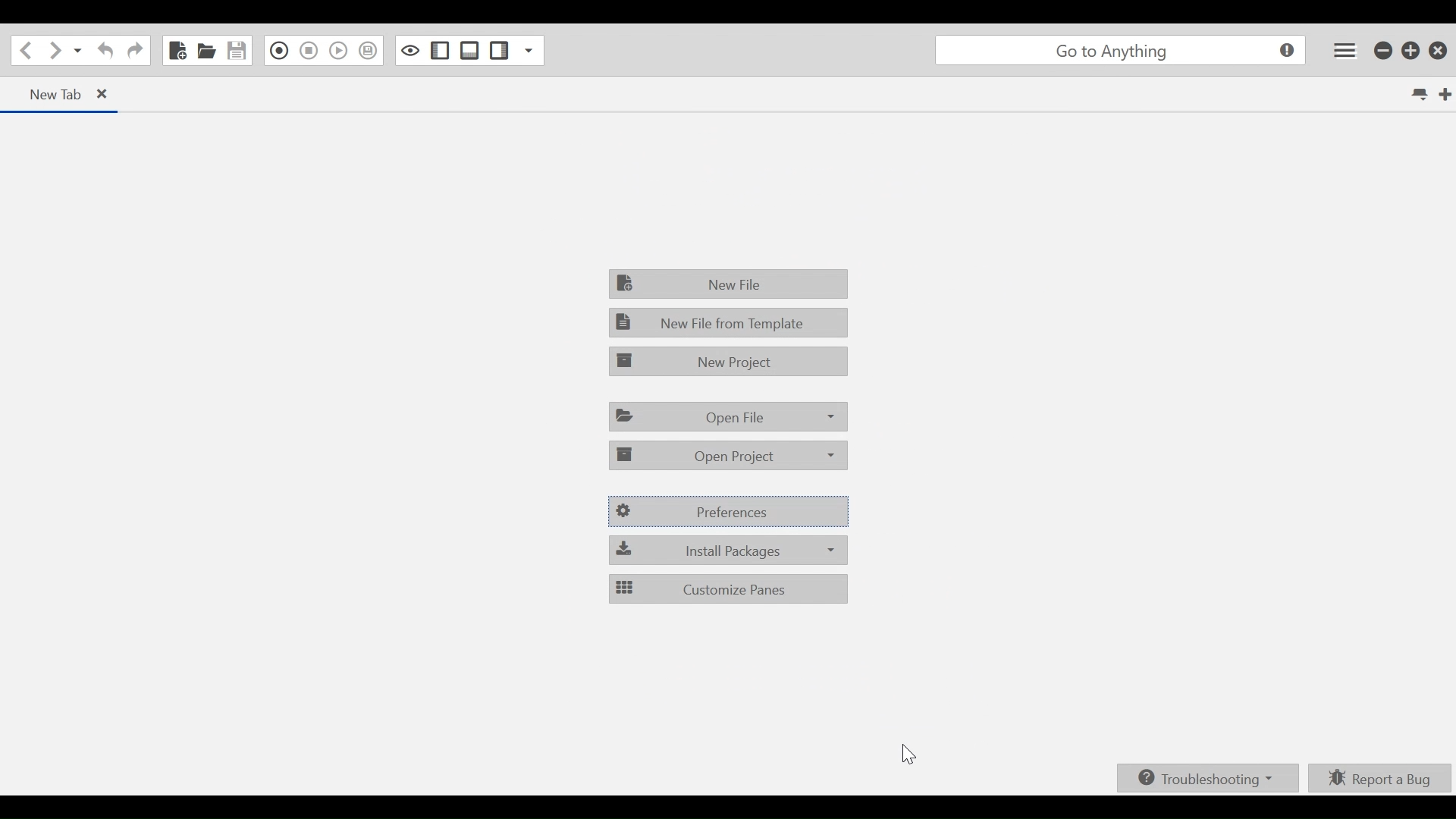 The width and height of the screenshot is (1456, 819). I want to click on Recent location, so click(78, 52).